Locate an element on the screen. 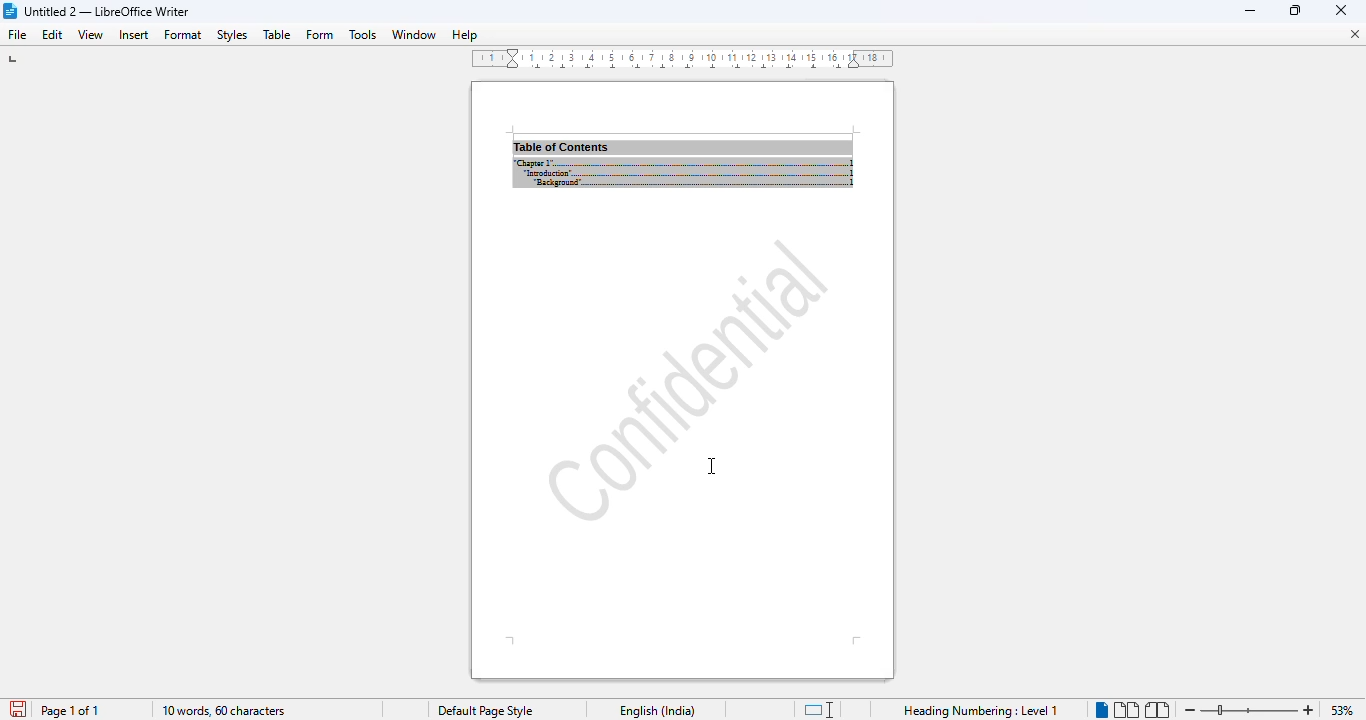 The height and width of the screenshot is (720, 1366). view is located at coordinates (91, 35).